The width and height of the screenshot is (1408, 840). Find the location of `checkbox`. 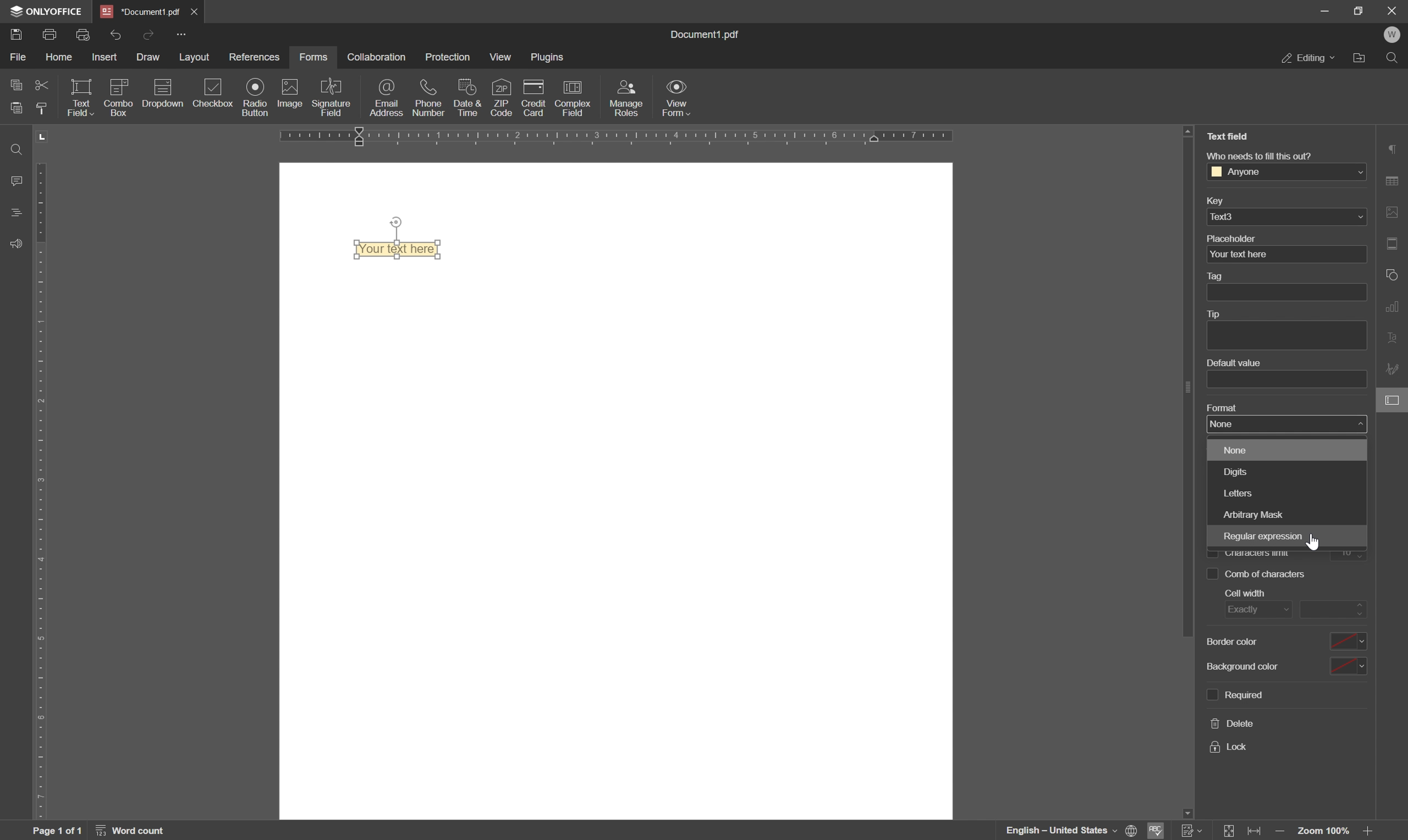

checkbox is located at coordinates (214, 93).